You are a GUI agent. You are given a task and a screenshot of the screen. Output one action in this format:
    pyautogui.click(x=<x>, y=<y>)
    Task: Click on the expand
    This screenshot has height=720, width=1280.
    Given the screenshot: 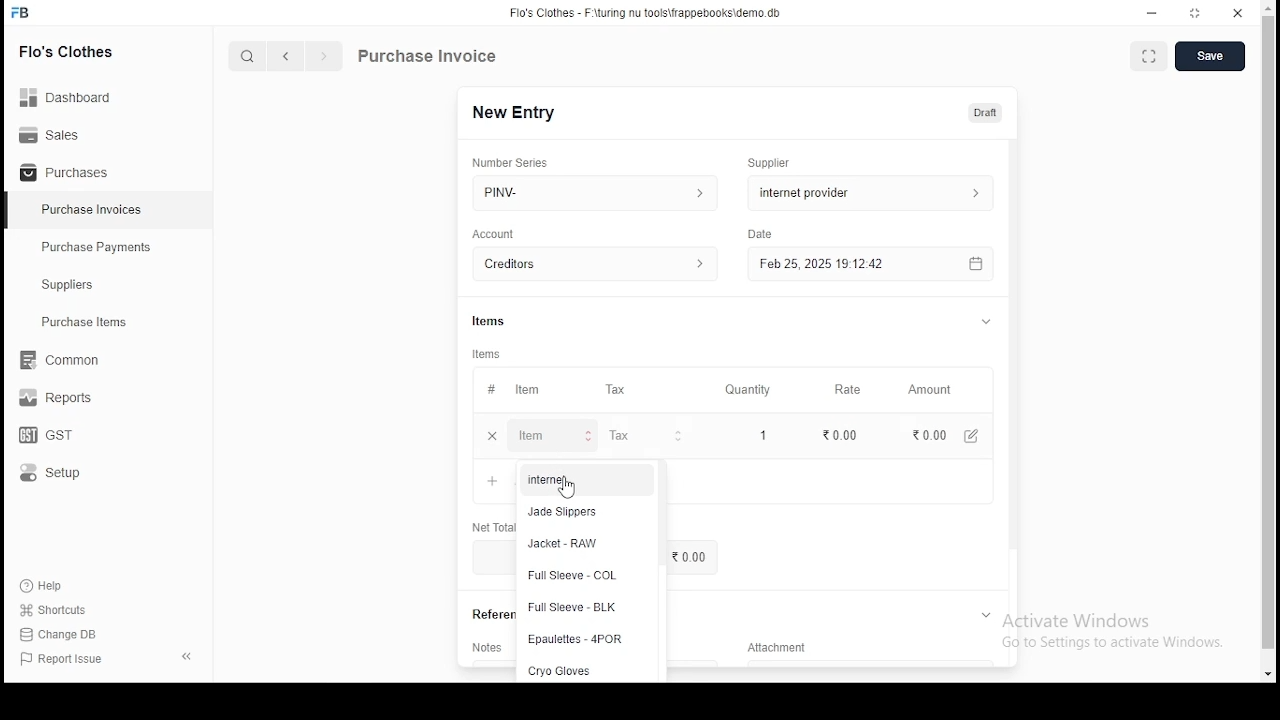 What is the action you would take?
    pyautogui.click(x=985, y=321)
    